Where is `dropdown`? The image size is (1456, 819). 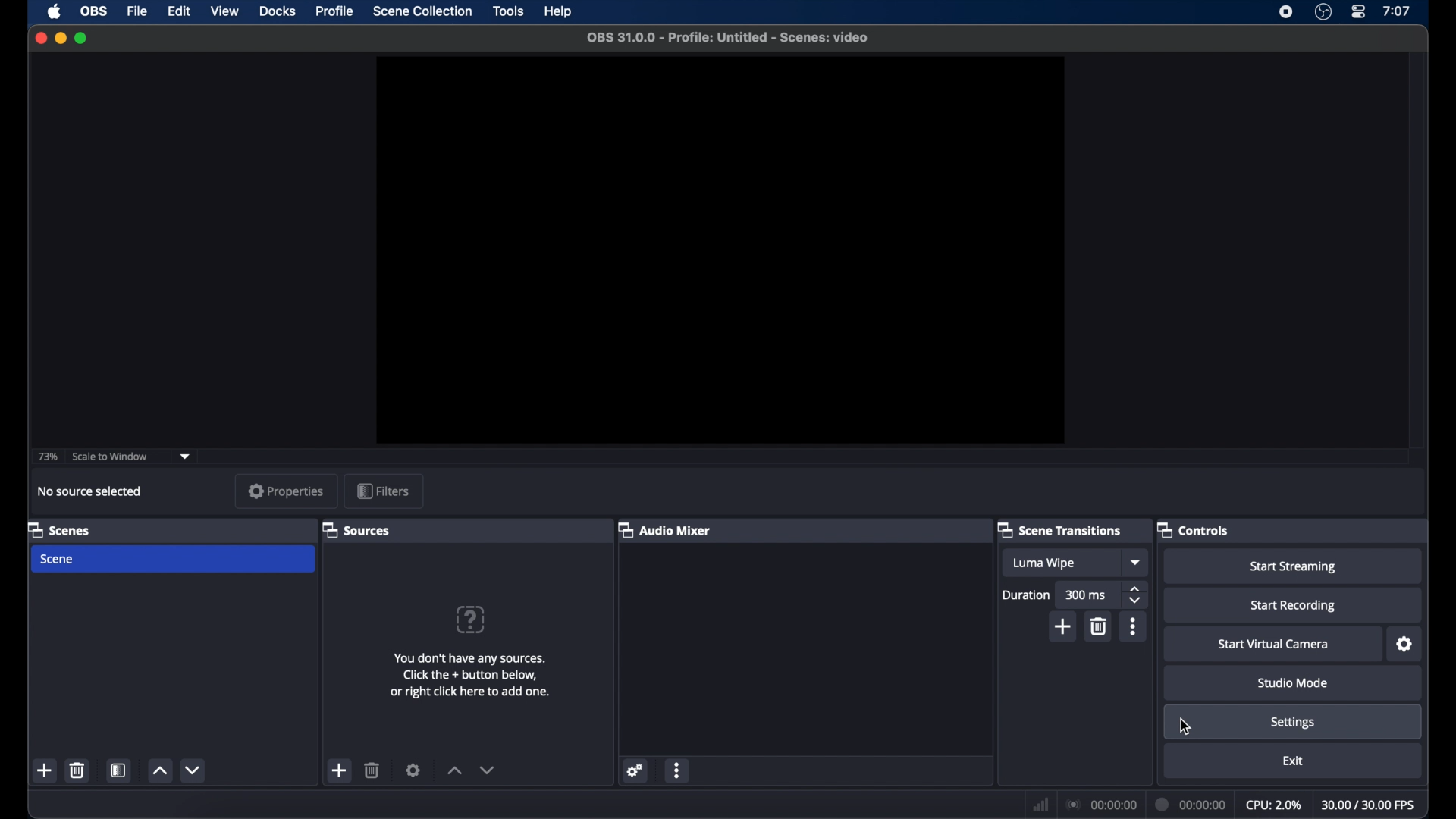 dropdown is located at coordinates (1137, 563).